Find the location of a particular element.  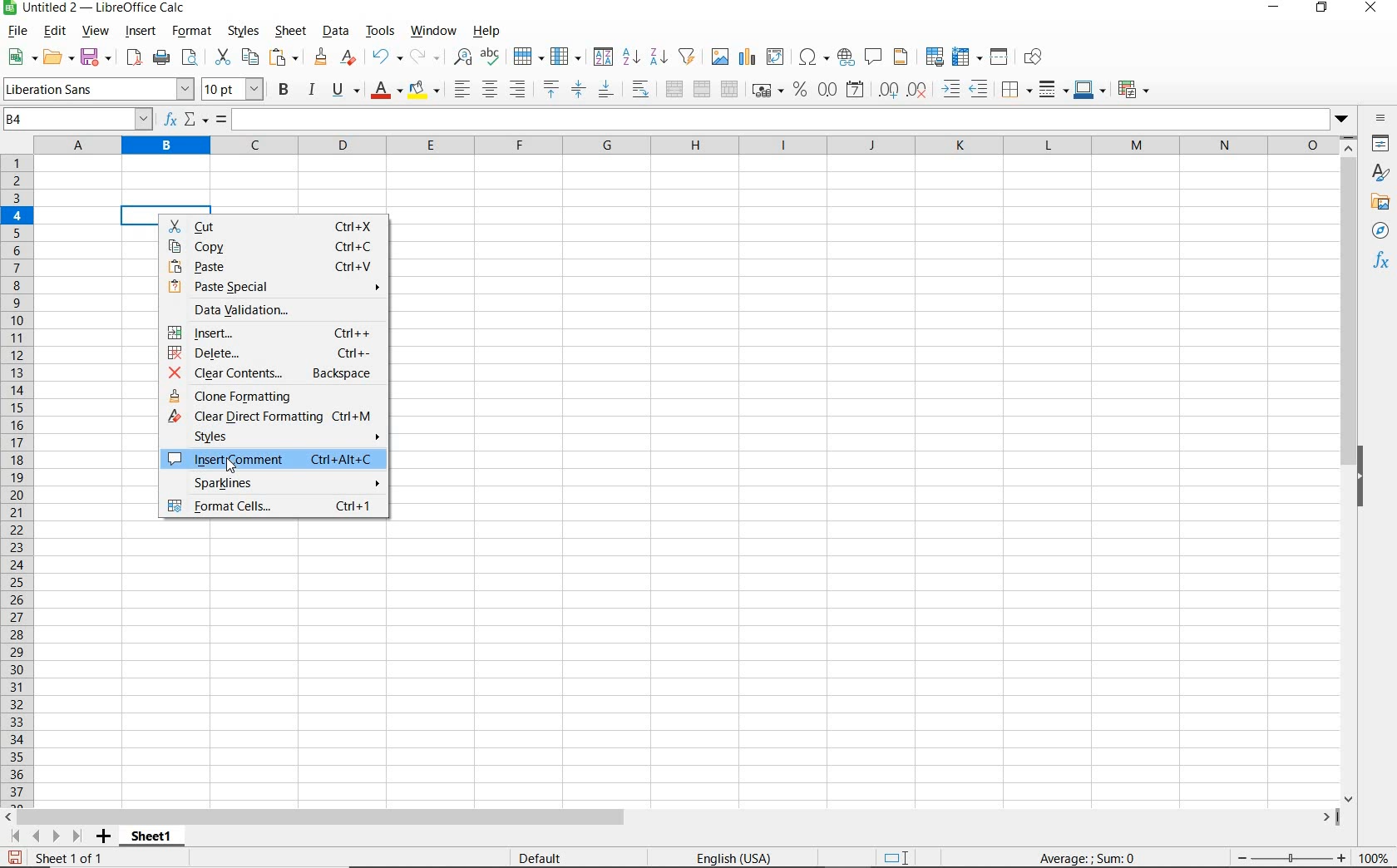

align top is located at coordinates (550, 87).